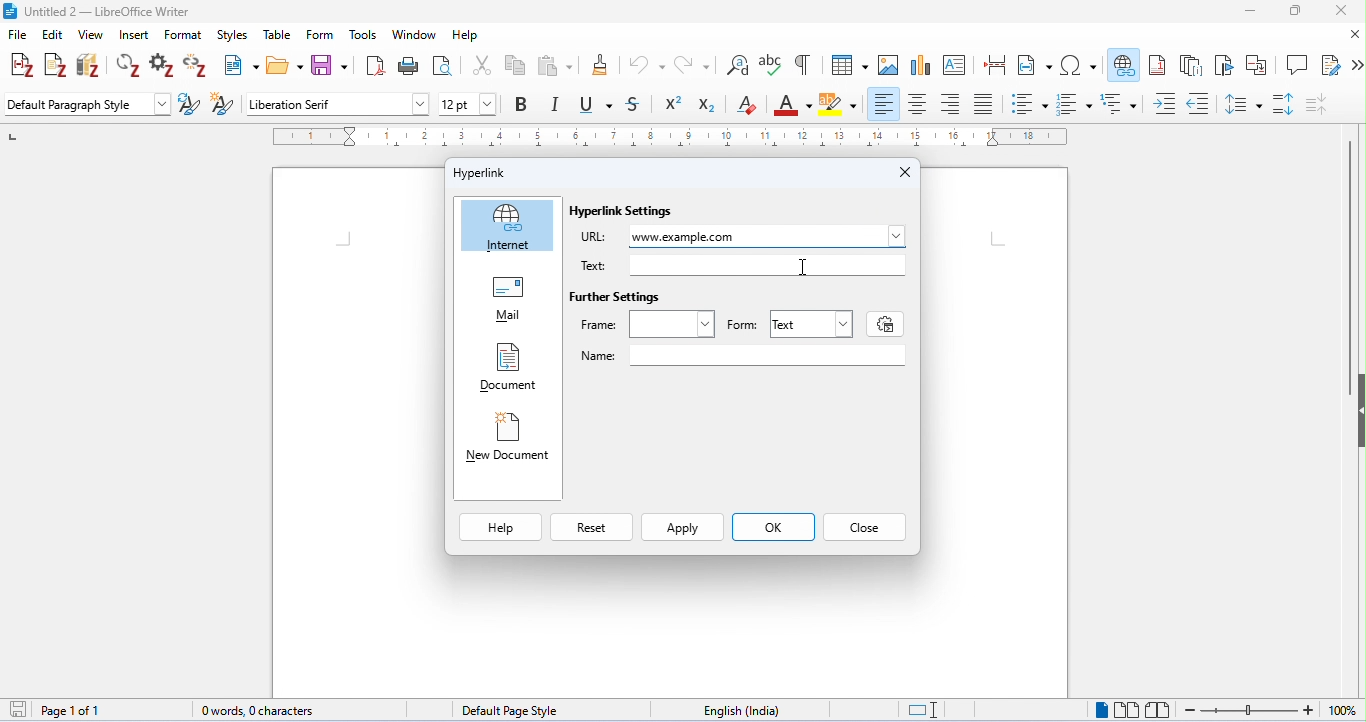 Image resolution: width=1366 pixels, height=722 pixels. Describe the element at coordinates (23, 67) in the screenshot. I see `add/edit citations` at that location.